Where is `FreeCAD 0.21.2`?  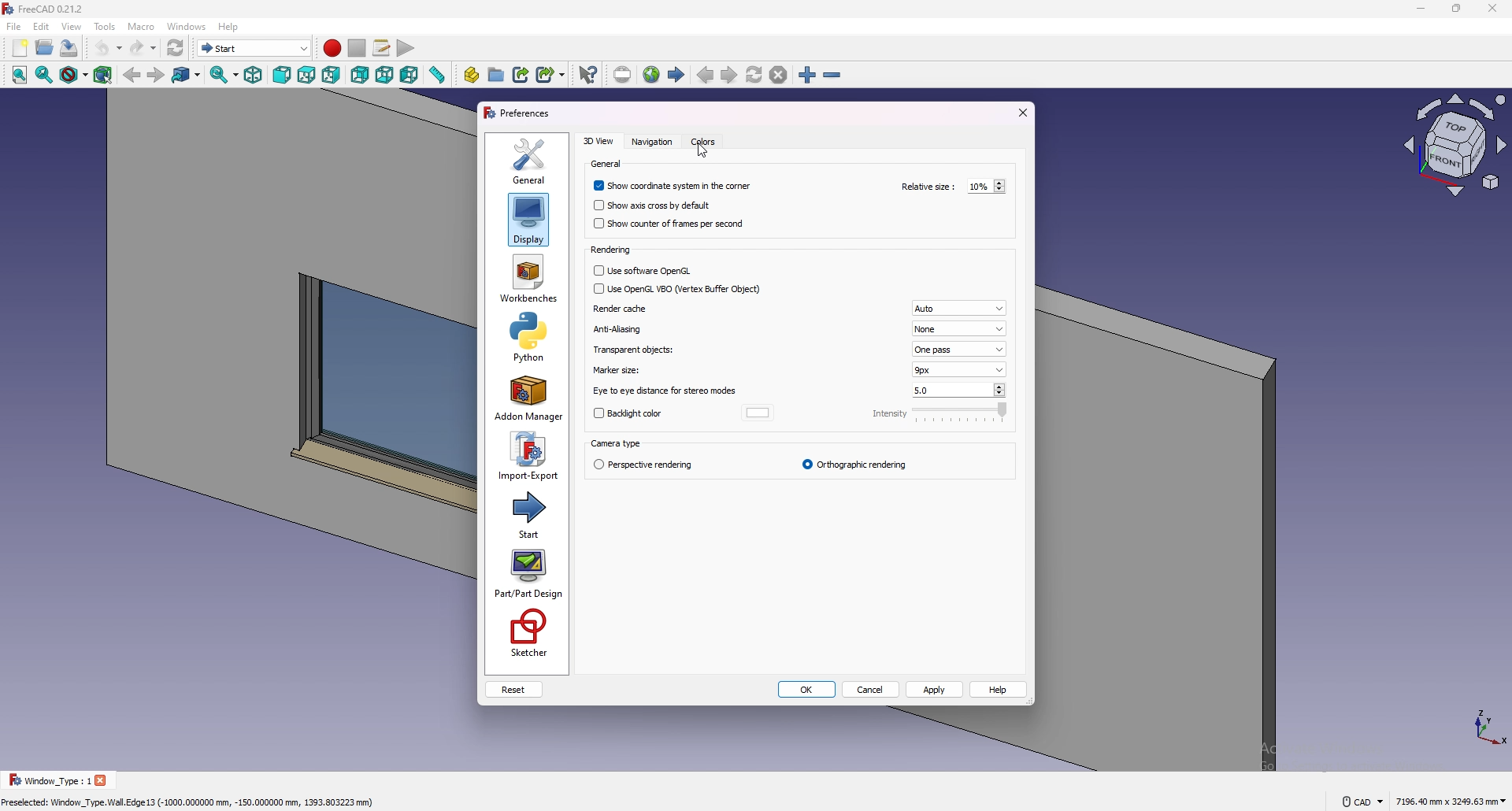 FreeCAD 0.21.2 is located at coordinates (55, 9).